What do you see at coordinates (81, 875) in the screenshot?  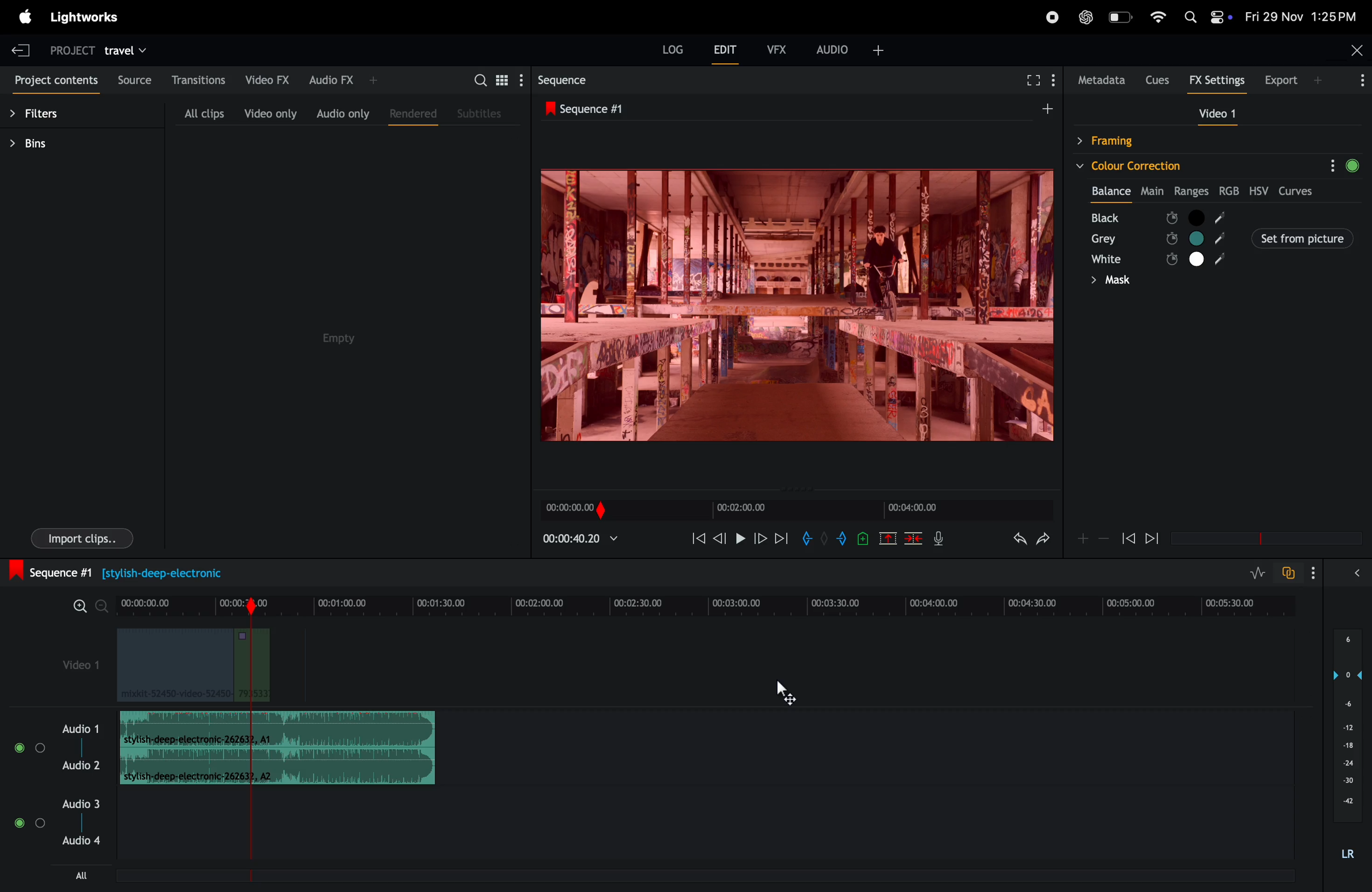 I see `all` at bounding box center [81, 875].